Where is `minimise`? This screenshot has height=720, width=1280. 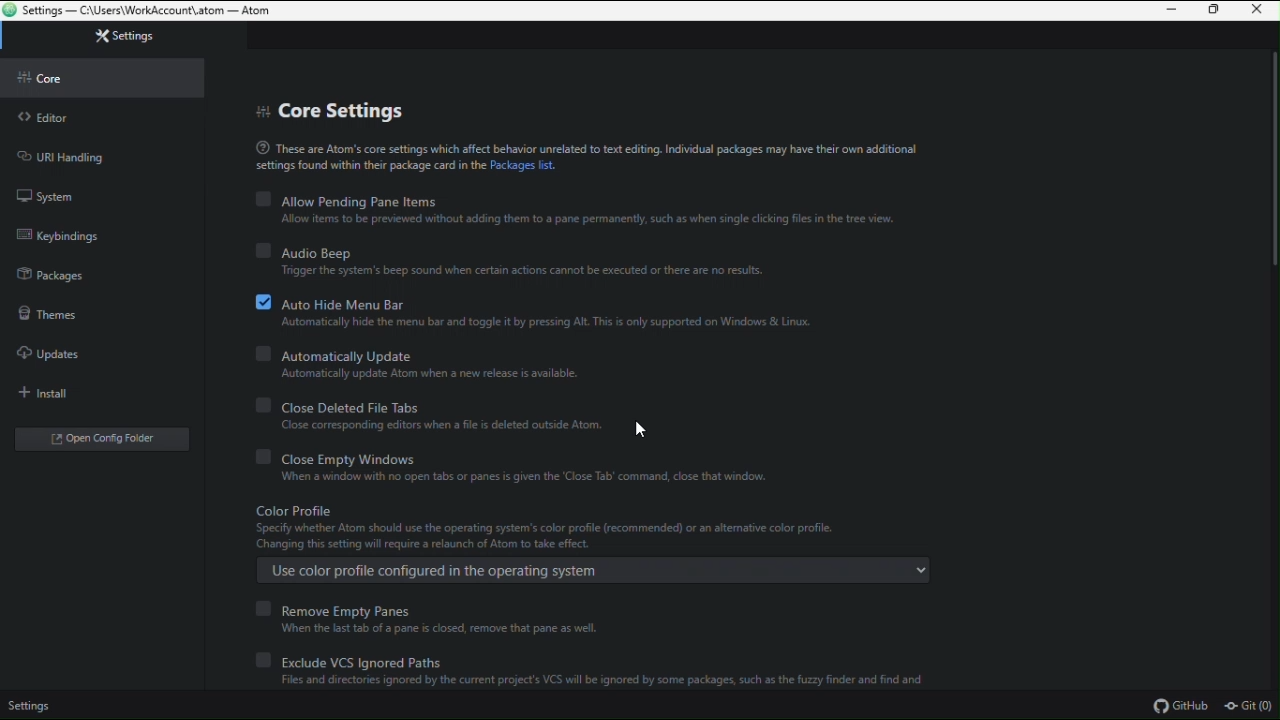 minimise is located at coordinates (1171, 12).